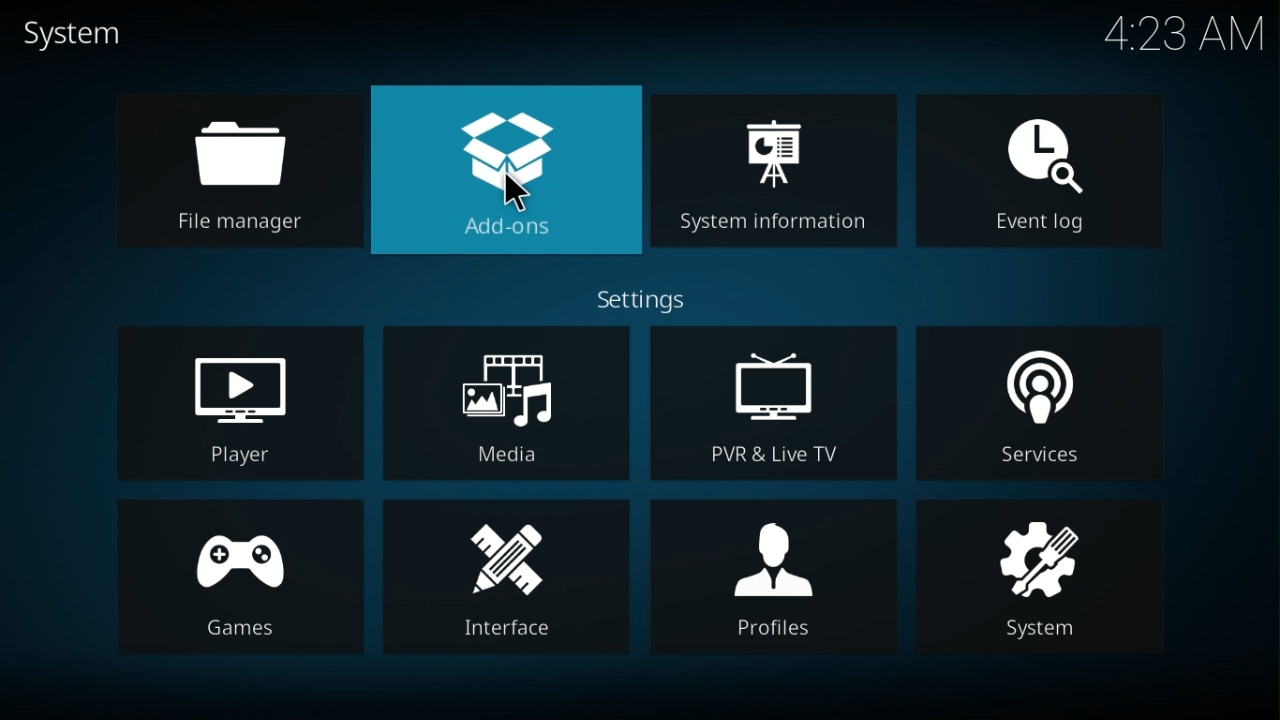  What do you see at coordinates (66, 27) in the screenshot?
I see `system` at bounding box center [66, 27].